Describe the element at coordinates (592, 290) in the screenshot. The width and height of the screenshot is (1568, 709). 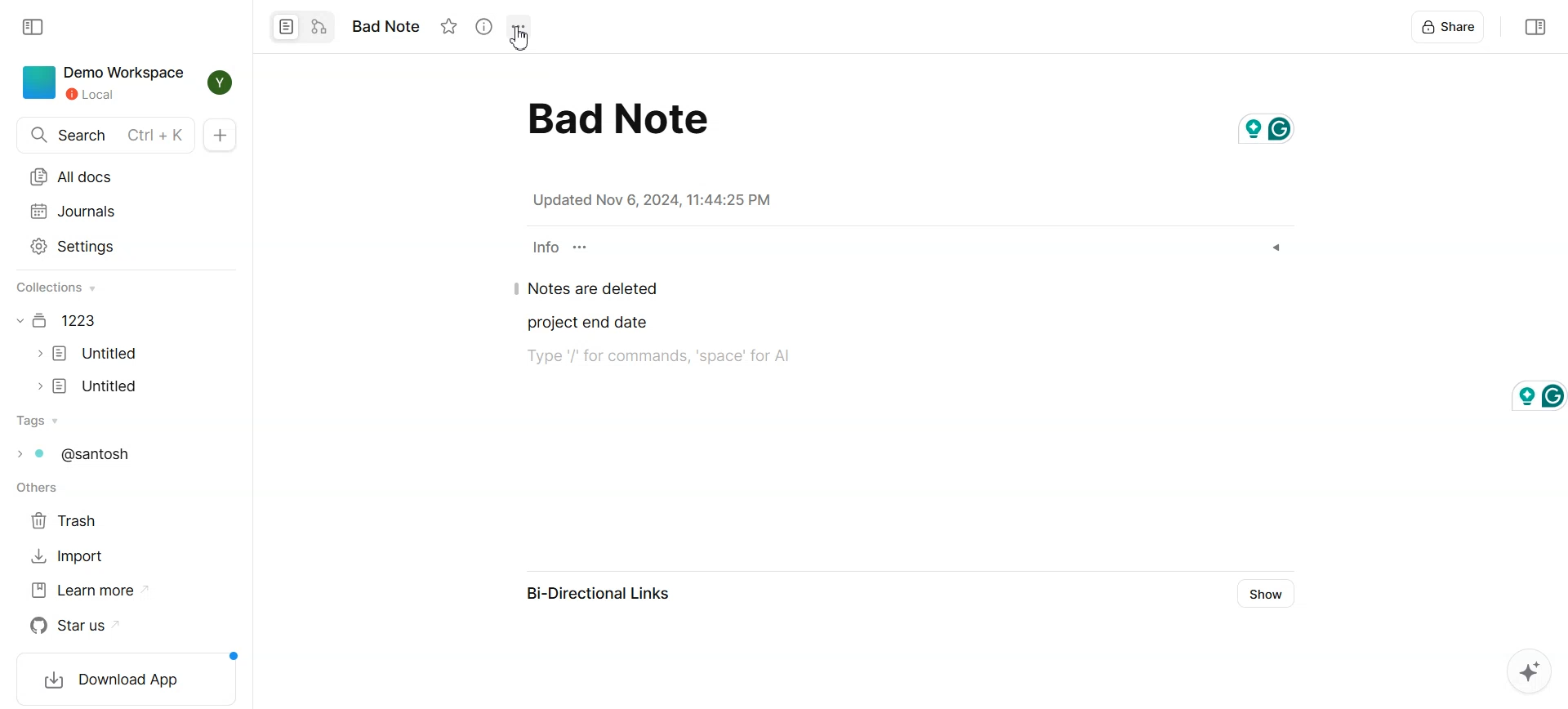
I see `Notes are deleted` at that location.